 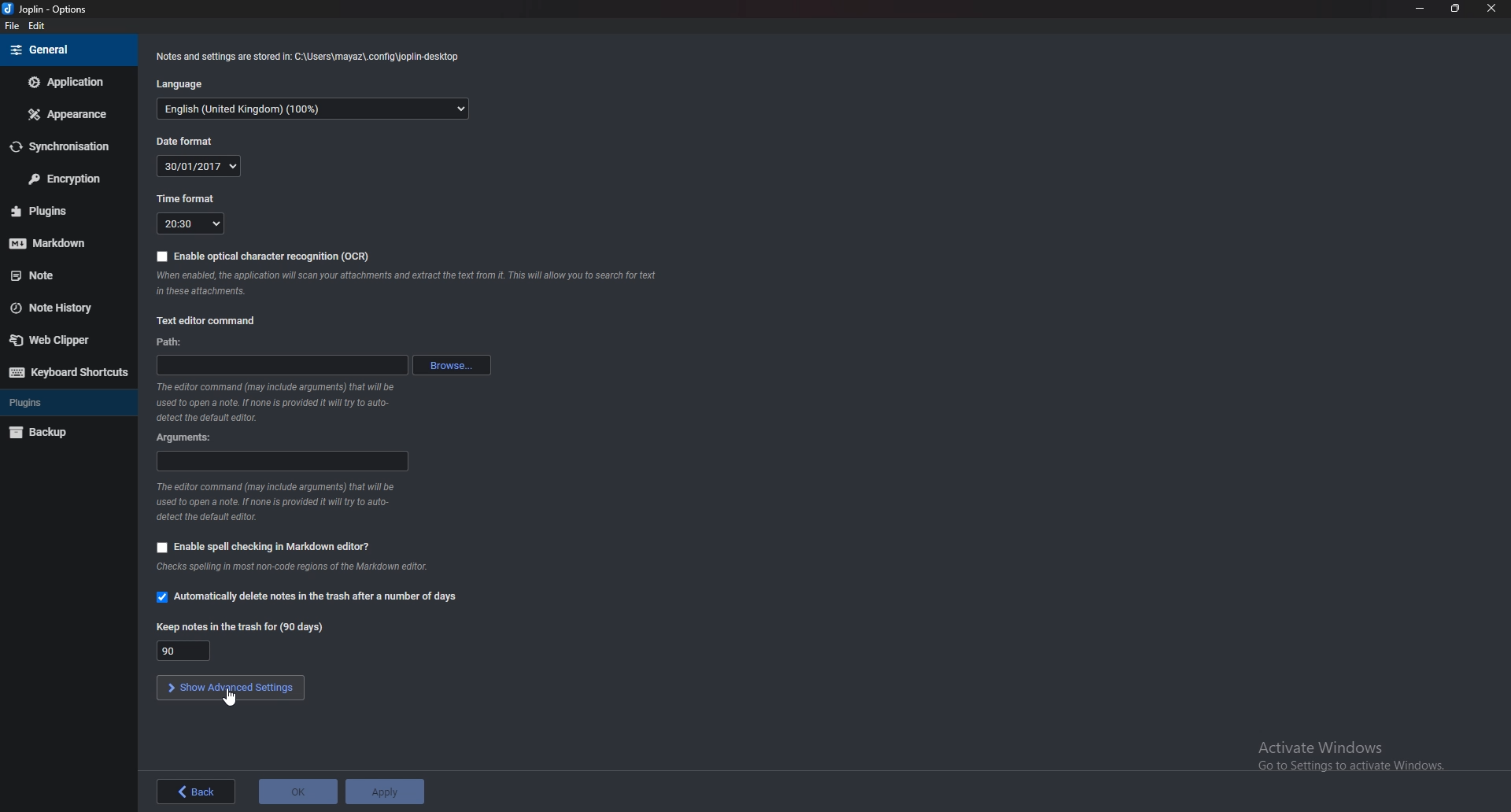 What do you see at coordinates (242, 626) in the screenshot?
I see `Keep notes in the trash for 90 days` at bounding box center [242, 626].